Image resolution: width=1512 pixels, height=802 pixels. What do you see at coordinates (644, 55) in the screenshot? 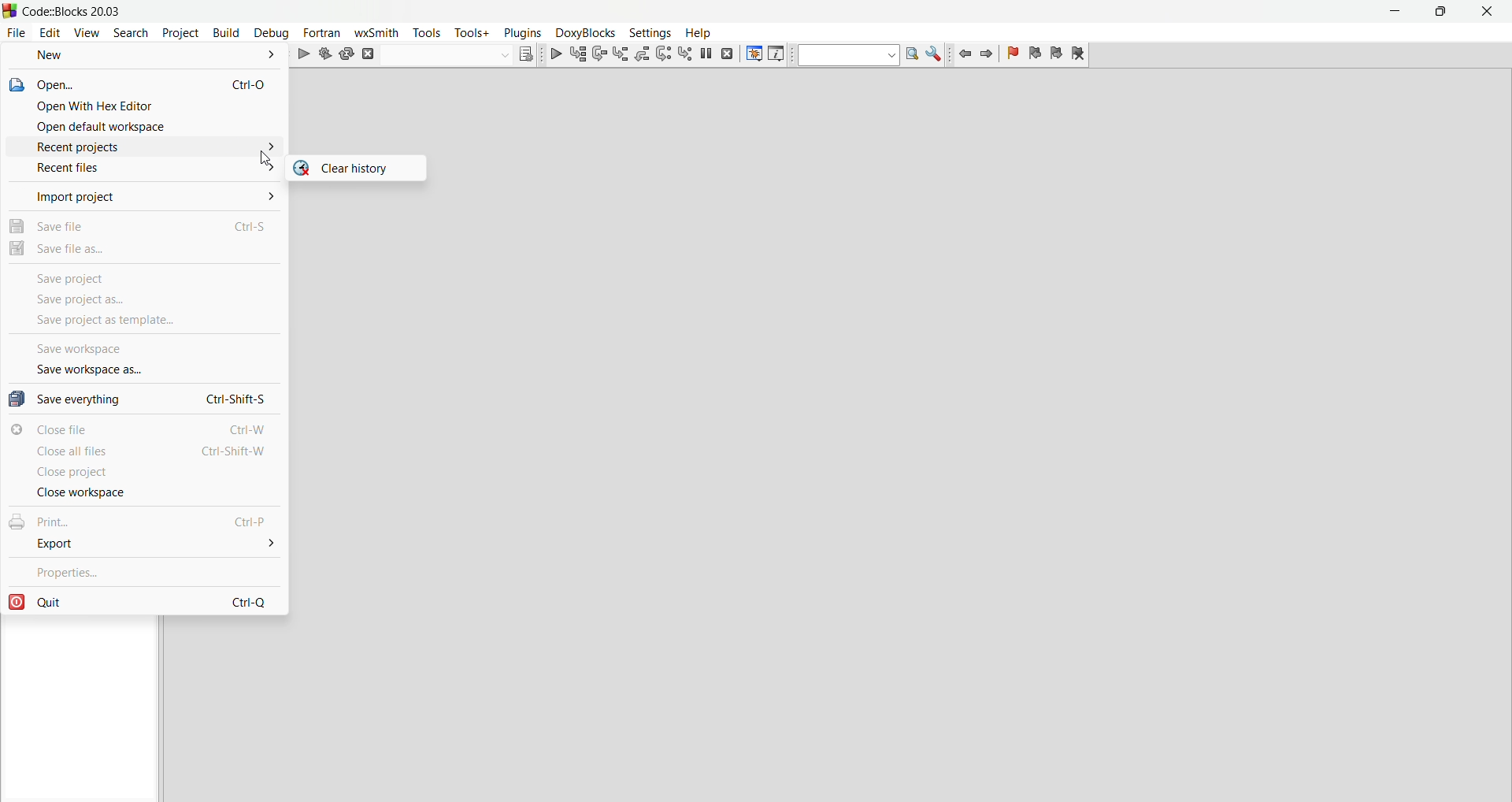
I see `step out` at bounding box center [644, 55].